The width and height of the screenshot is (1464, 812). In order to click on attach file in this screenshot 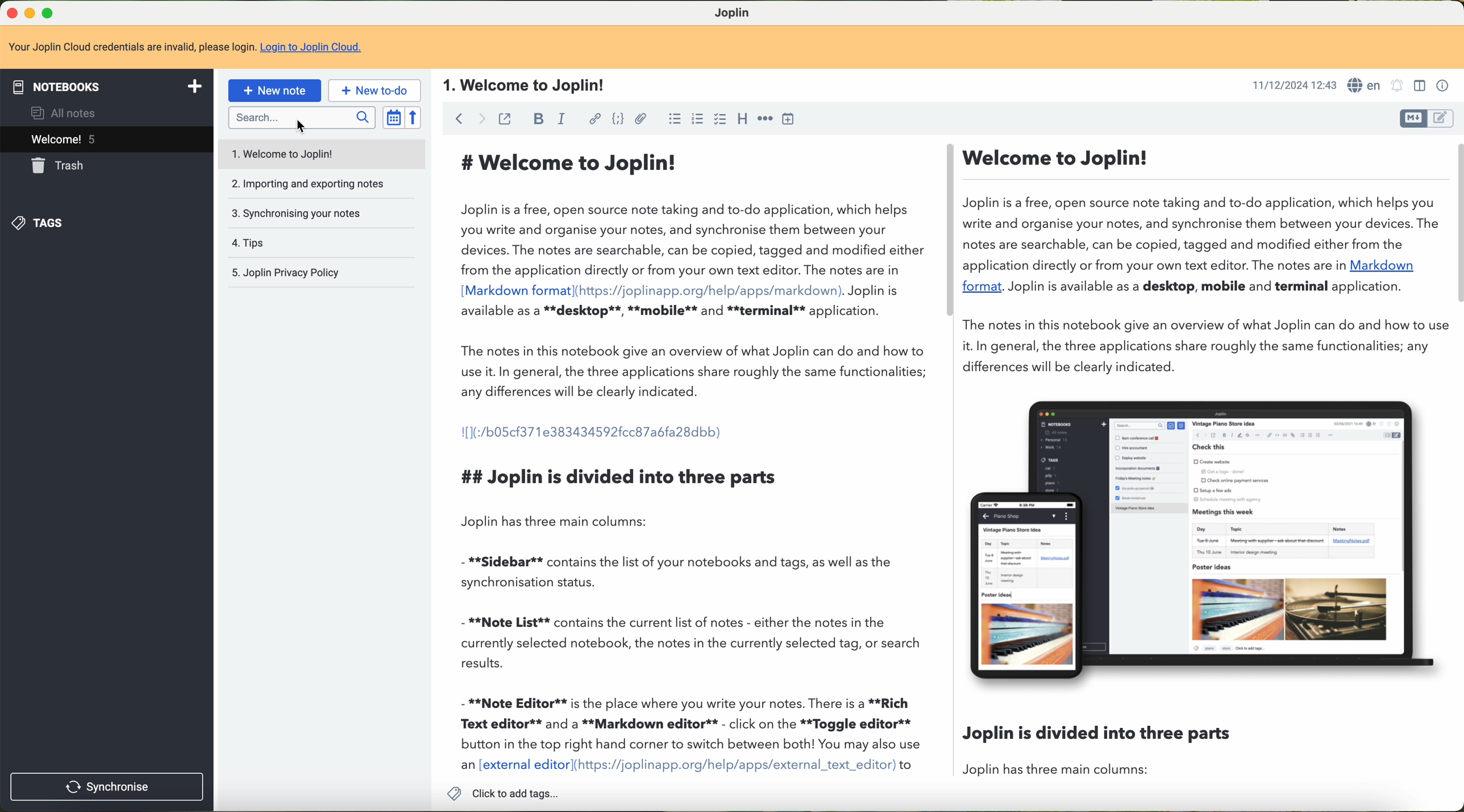, I will do `click(641, 120)`.